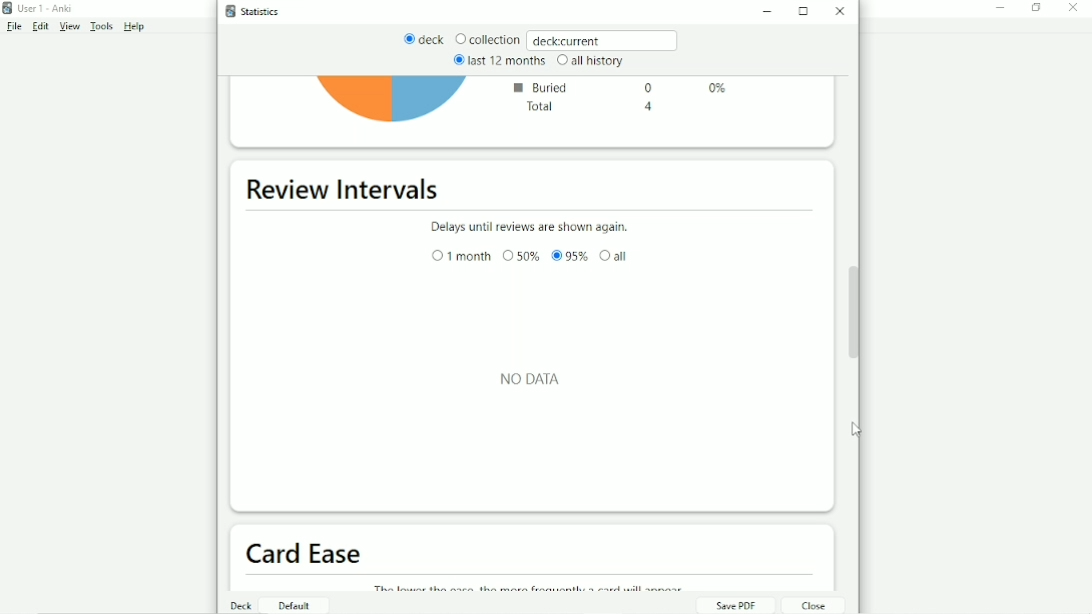  What do you see at coordinates (534, 378) in the screenshot?
I see `NO DATA` at bounding box center [534, 378].